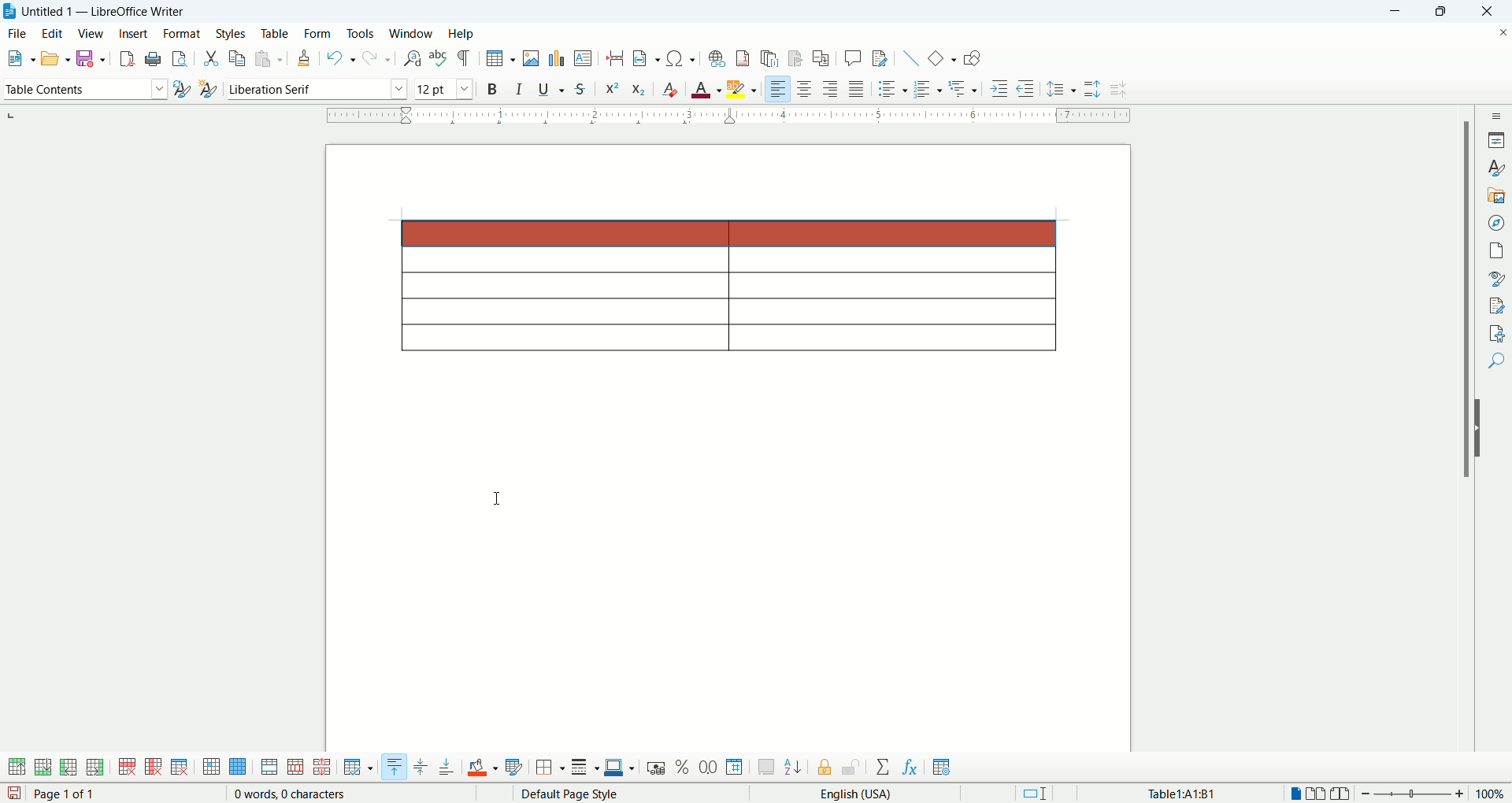 This screenshot has height=803, width=1512. What do you see at coordinates (17, 34) in the screenshot?
I see `file` at bounding box center [17, 34].